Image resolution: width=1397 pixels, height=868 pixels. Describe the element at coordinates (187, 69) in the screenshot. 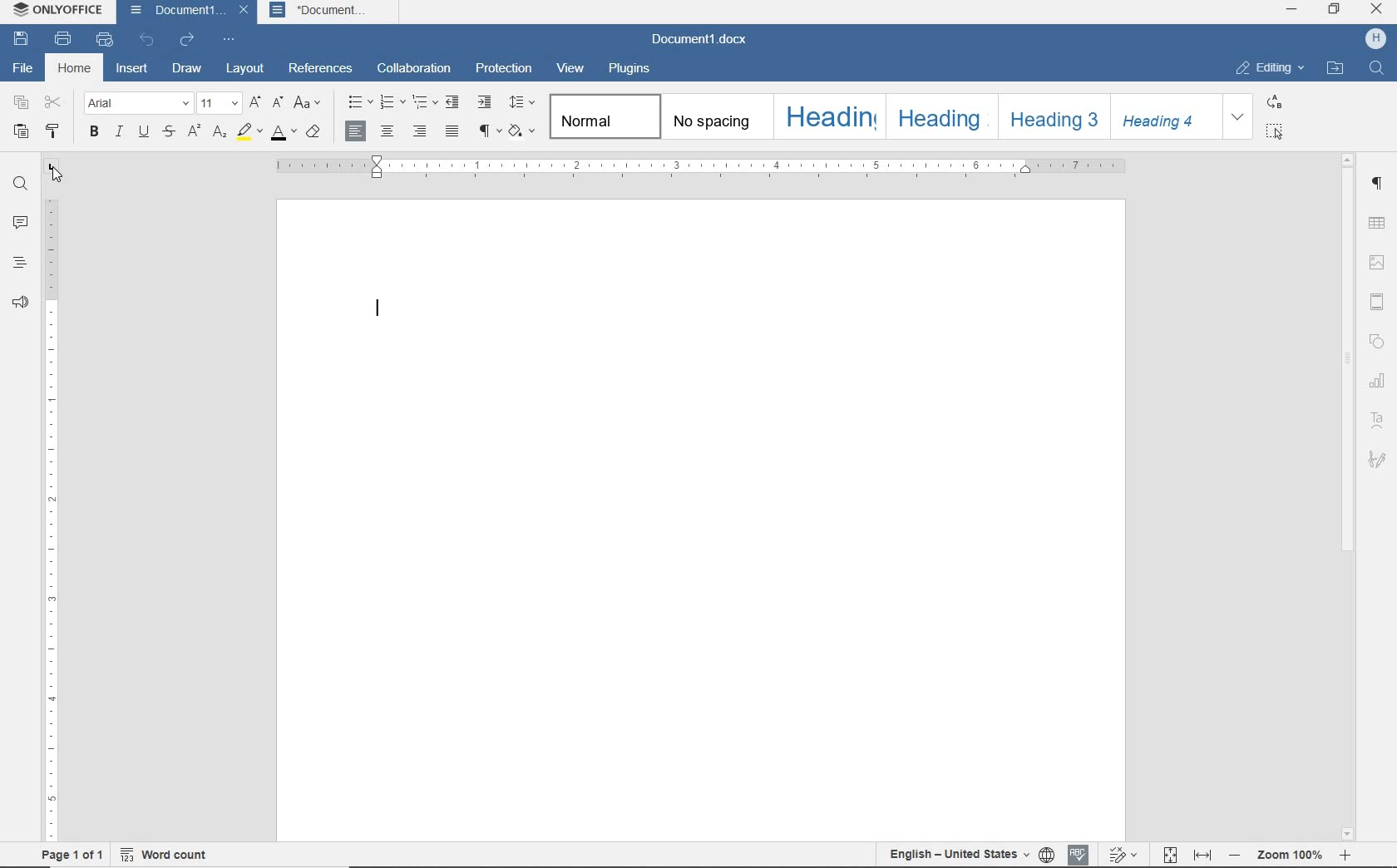

I see `DRAW` at that location.